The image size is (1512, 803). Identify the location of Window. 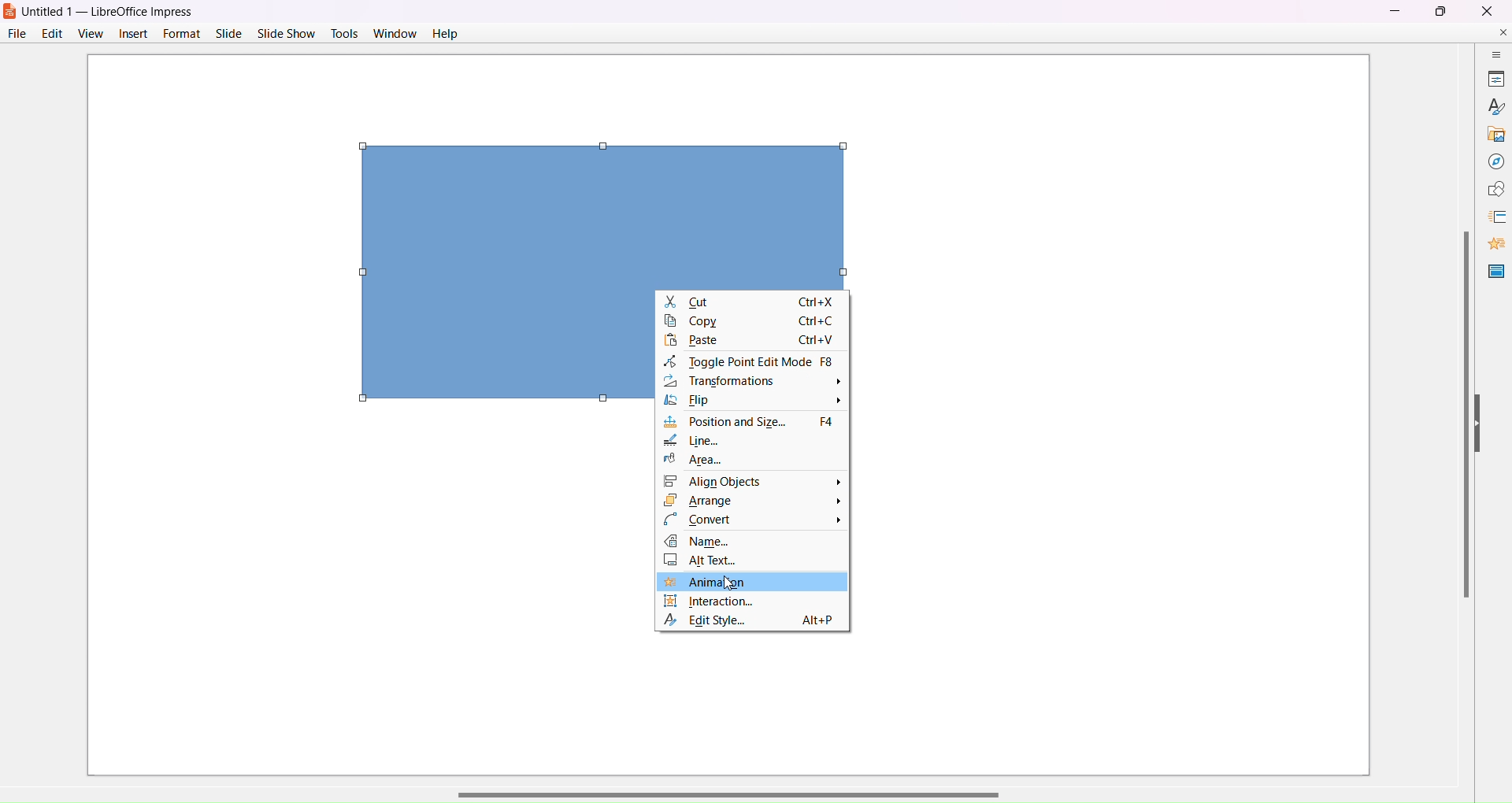
(395, 33).